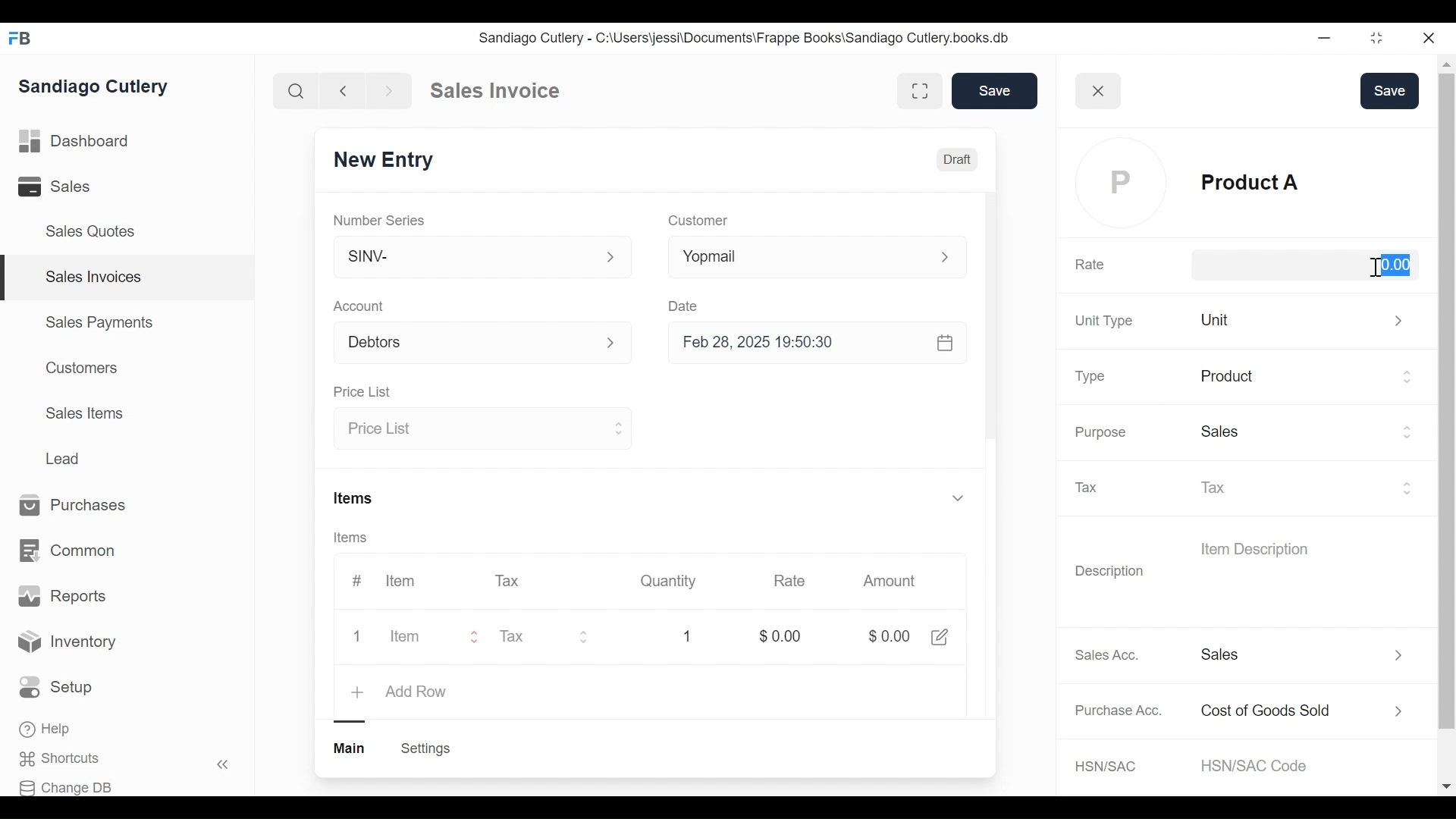 The image size is (1456, 819). I want to click on share, so click(940, 635).